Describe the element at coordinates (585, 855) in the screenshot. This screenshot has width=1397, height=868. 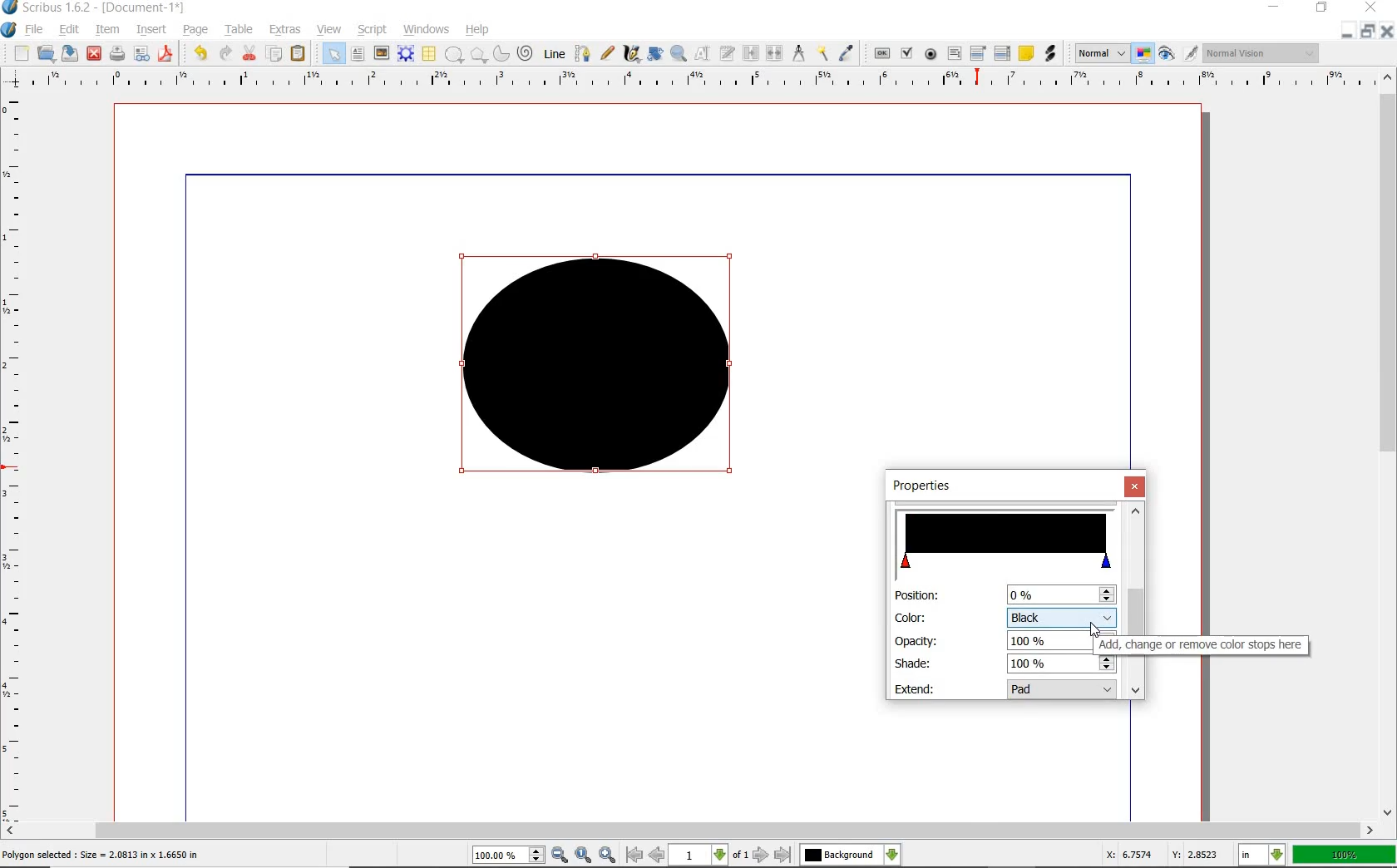
I see `zoom to` at that location.